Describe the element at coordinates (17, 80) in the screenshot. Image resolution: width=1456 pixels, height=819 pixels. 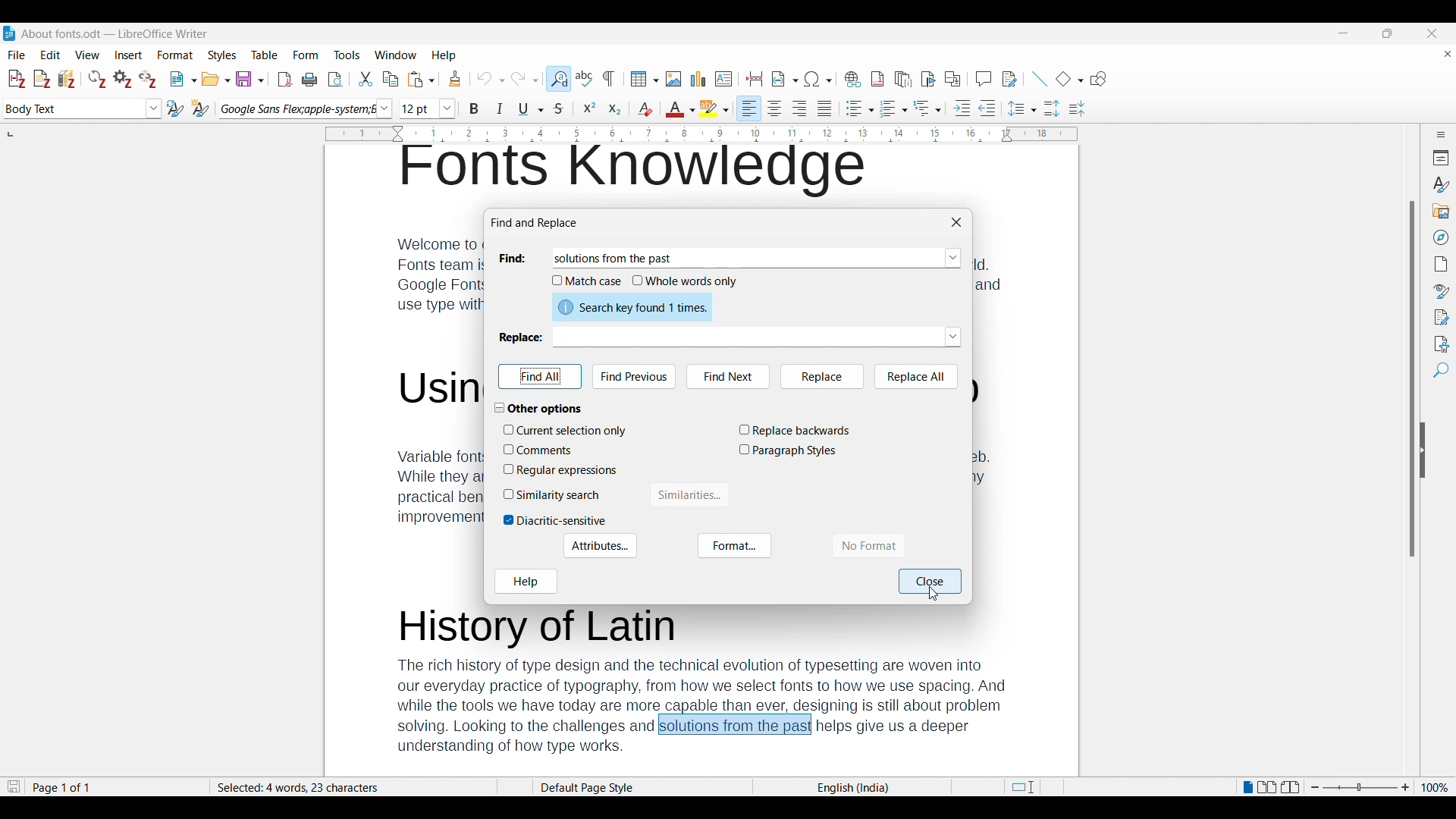
I see `Add/Edit citations` at that location.